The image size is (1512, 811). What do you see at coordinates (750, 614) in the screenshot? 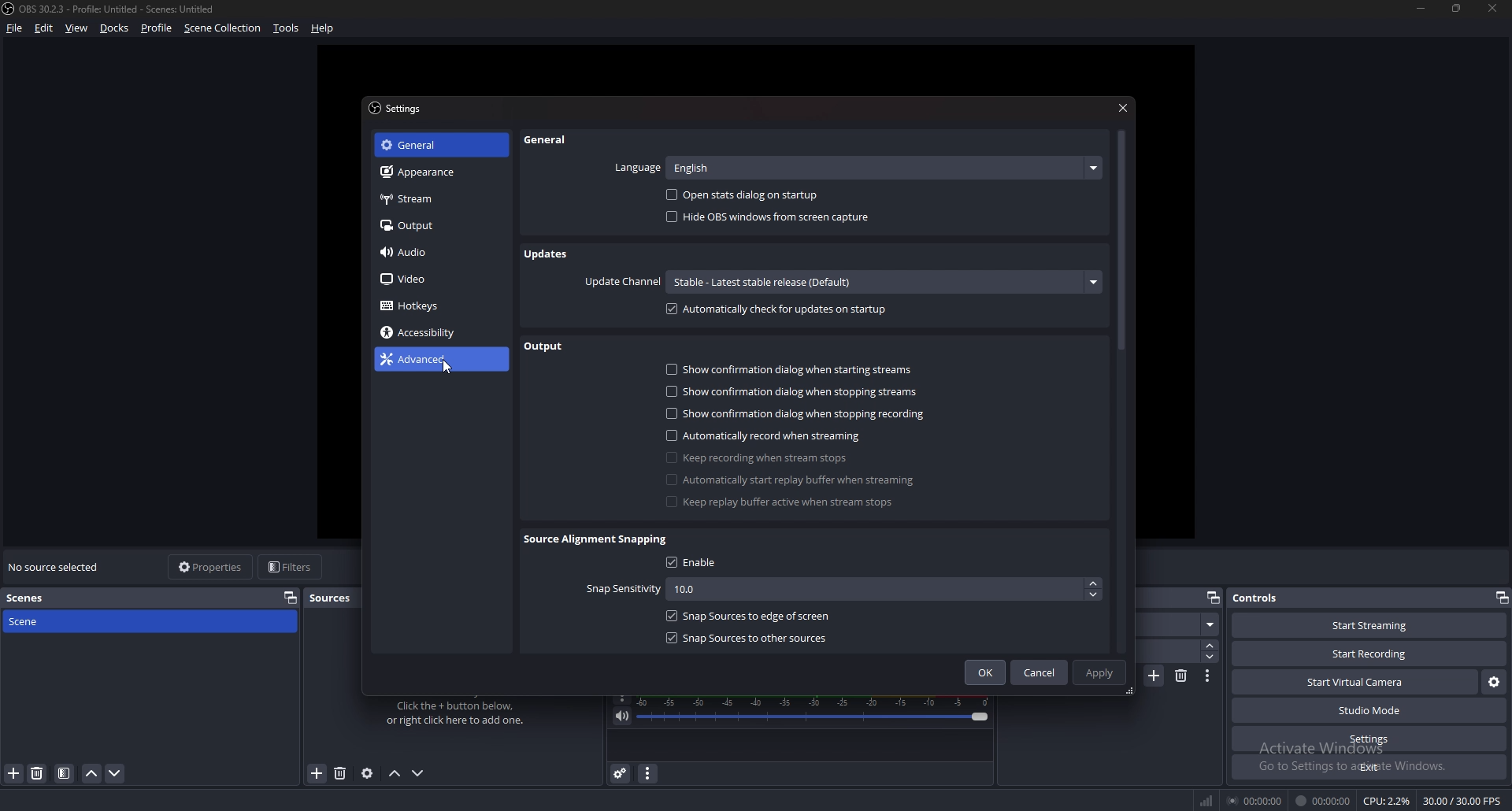
I see `Snap sources to edge of screen` at bounding box center [750, 614].